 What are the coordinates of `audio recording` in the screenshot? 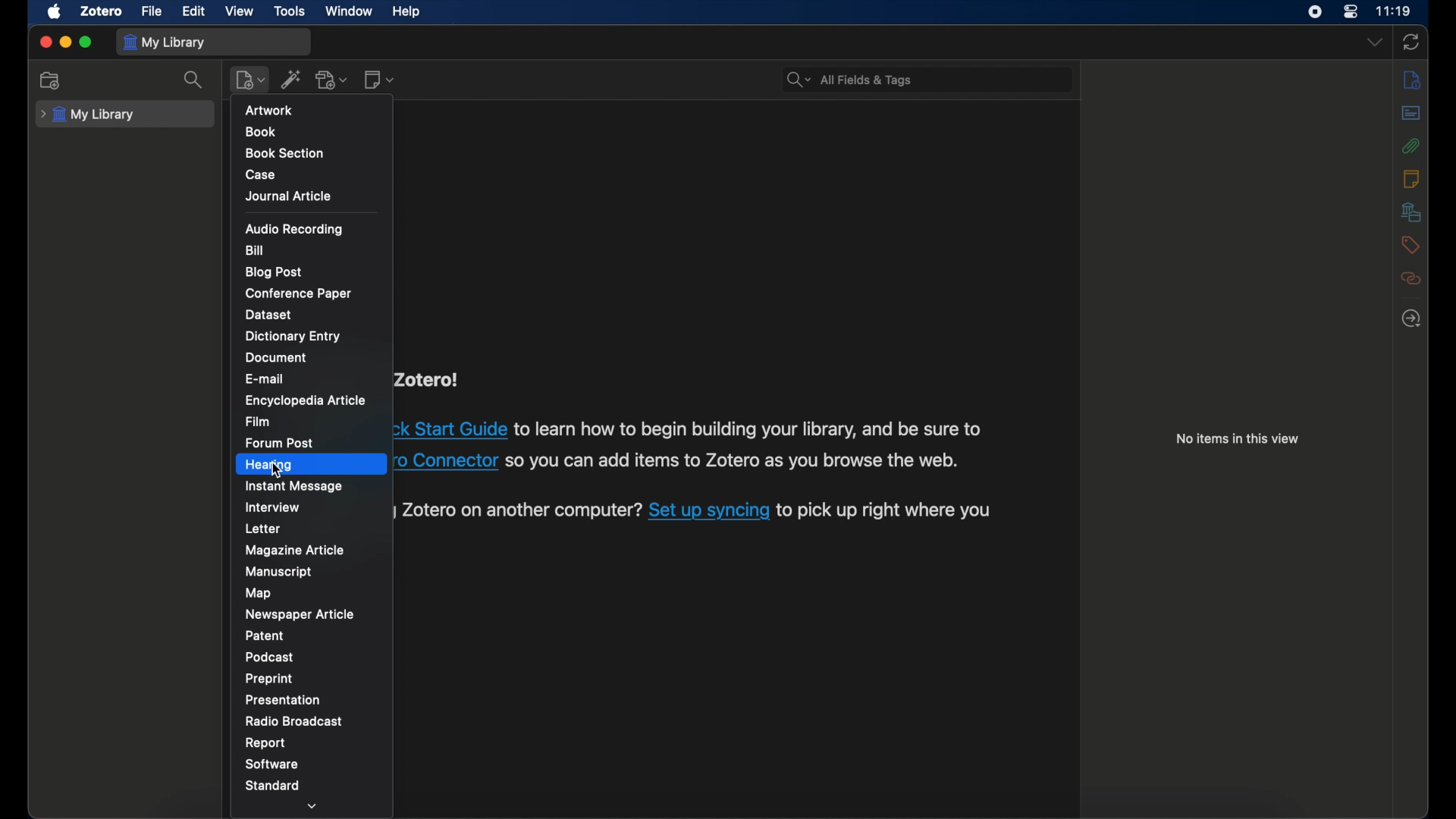 It's located at (295, 228).